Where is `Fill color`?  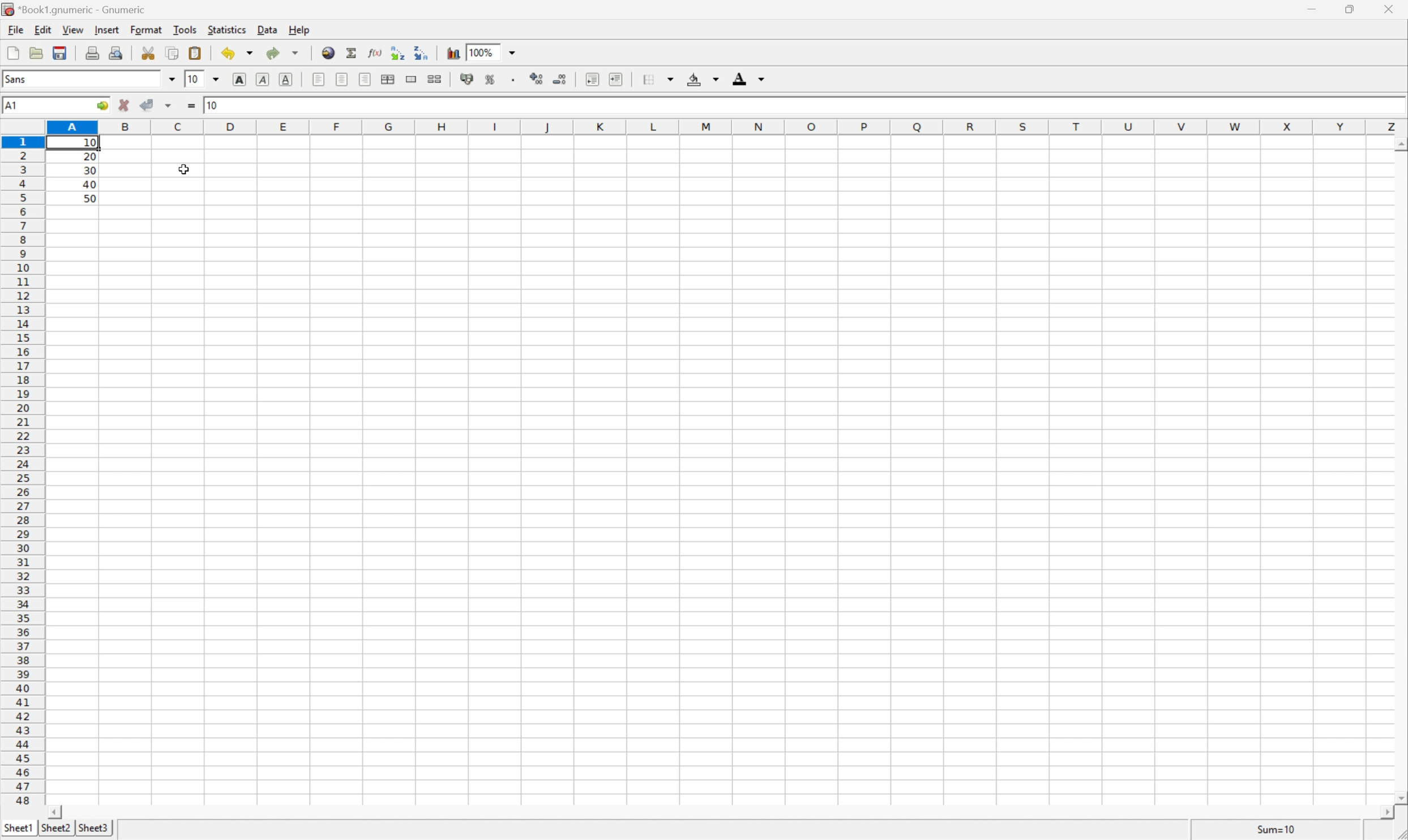 Fill color is located at coordinates (692, 79).